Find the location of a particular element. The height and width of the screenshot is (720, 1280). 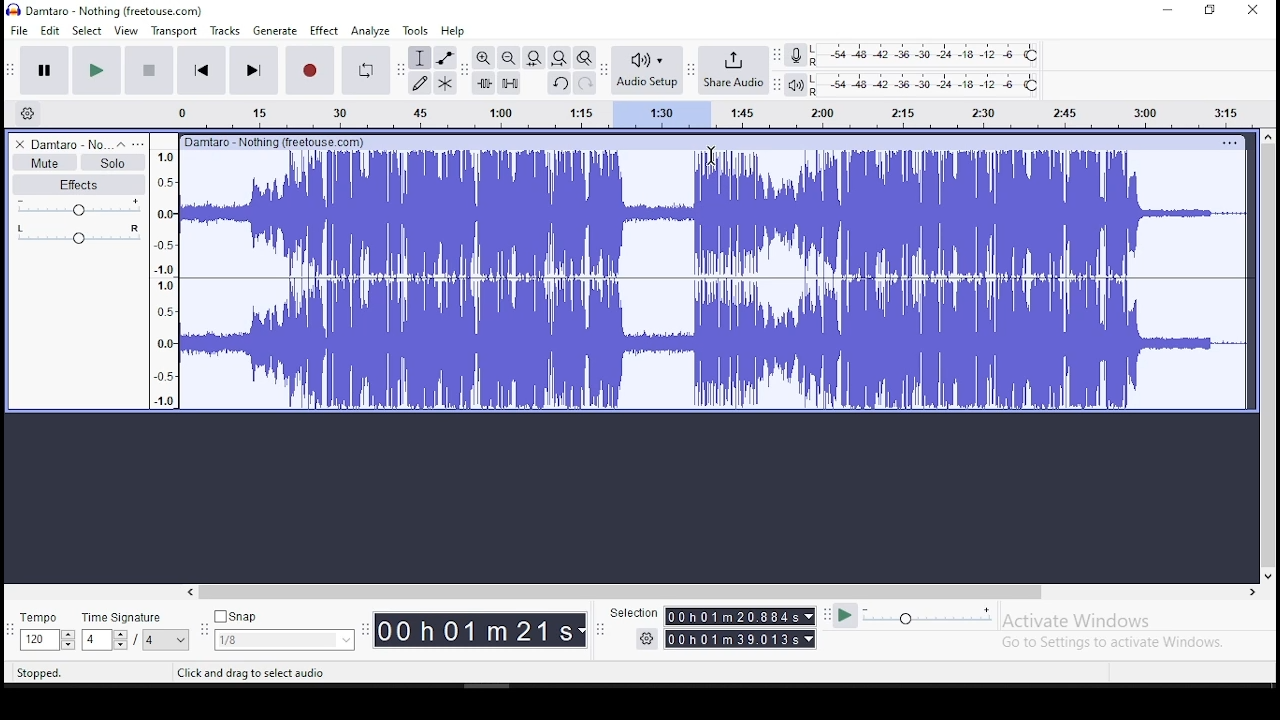

record is located at coordinates (308, 70).